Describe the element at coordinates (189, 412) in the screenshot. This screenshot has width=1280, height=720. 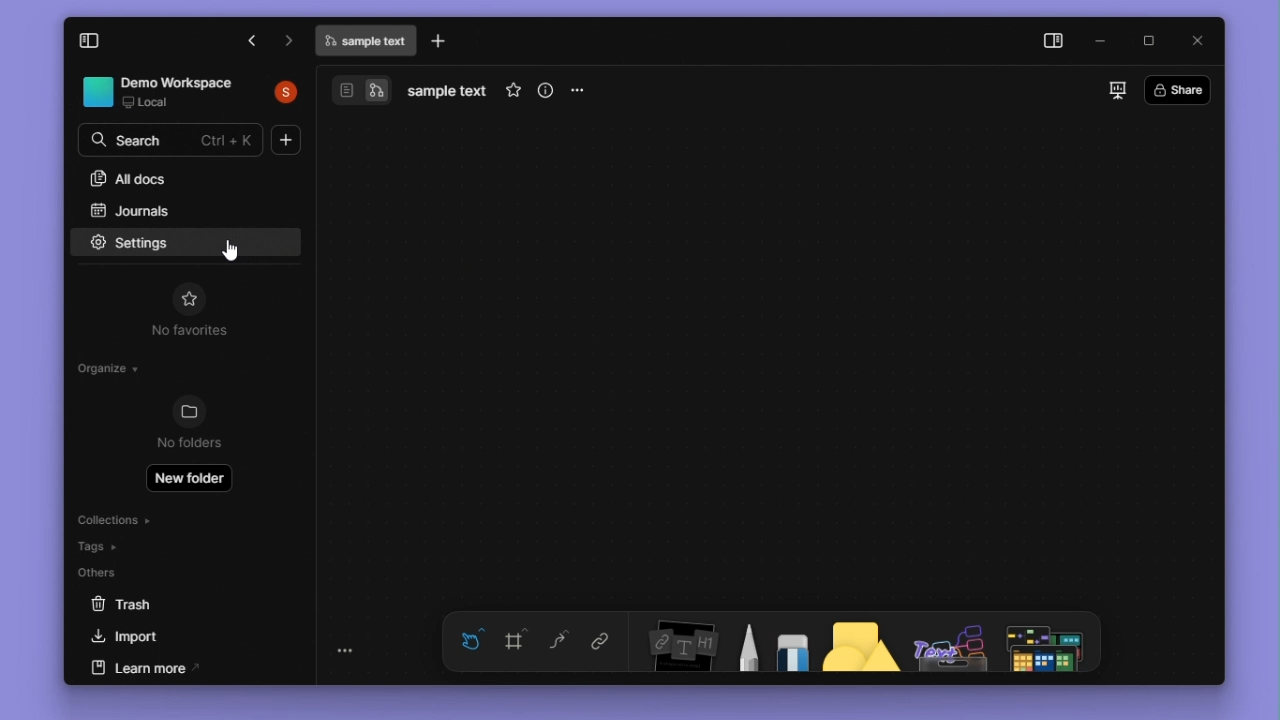
I see `folders` at that location.